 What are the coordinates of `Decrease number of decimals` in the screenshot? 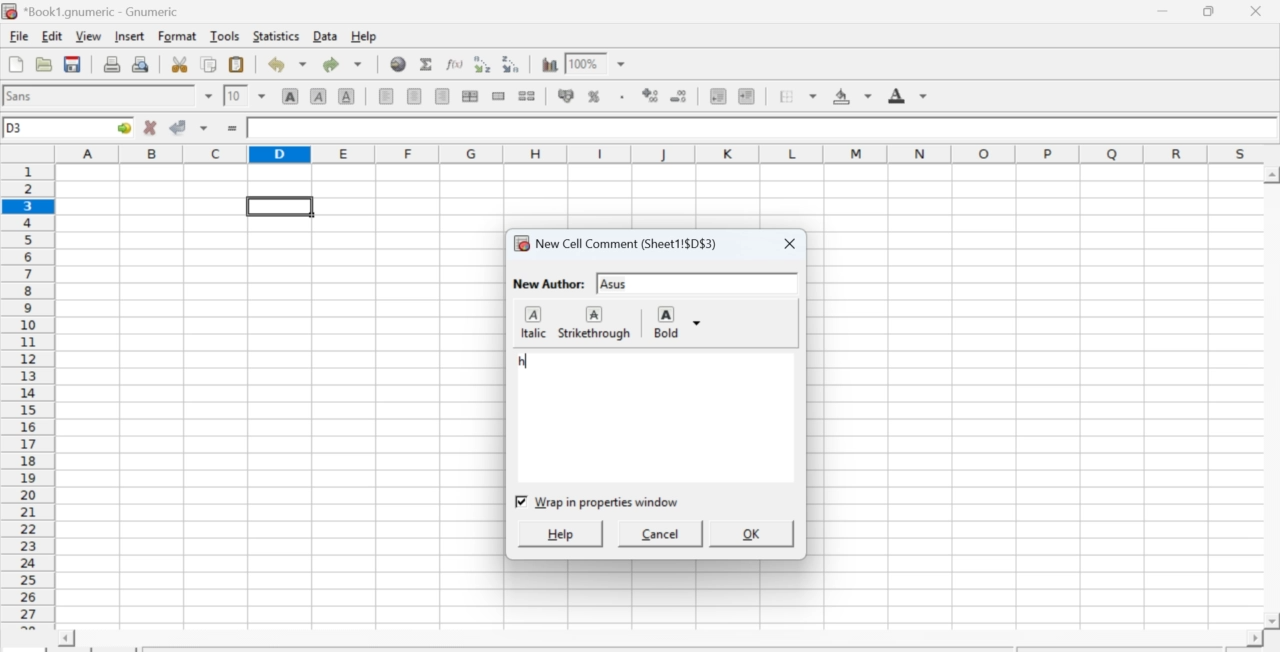 It's located at (678, 96).